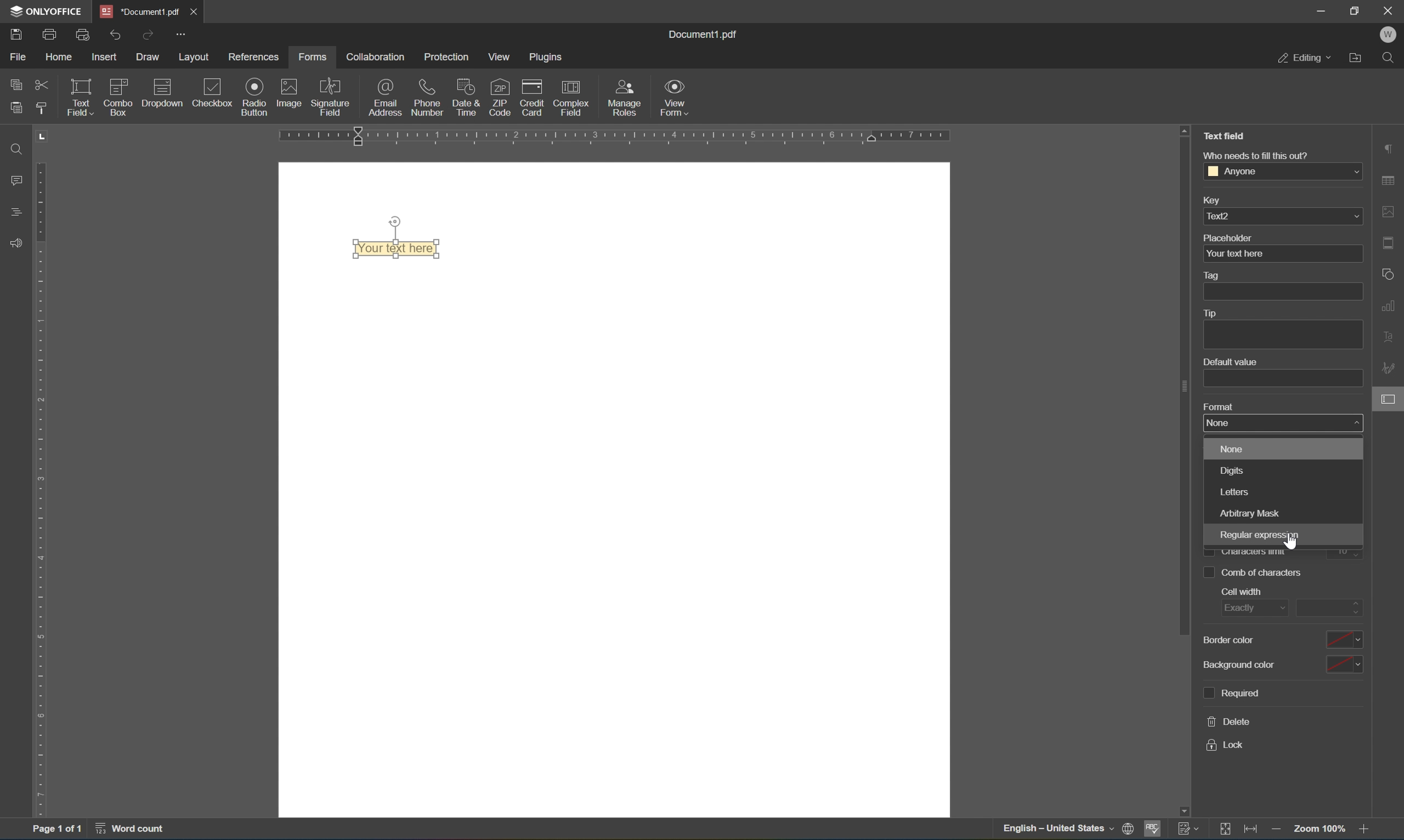 This screenshot has width=1404, height=840. I want to click on track changes, so click(1187, 830).